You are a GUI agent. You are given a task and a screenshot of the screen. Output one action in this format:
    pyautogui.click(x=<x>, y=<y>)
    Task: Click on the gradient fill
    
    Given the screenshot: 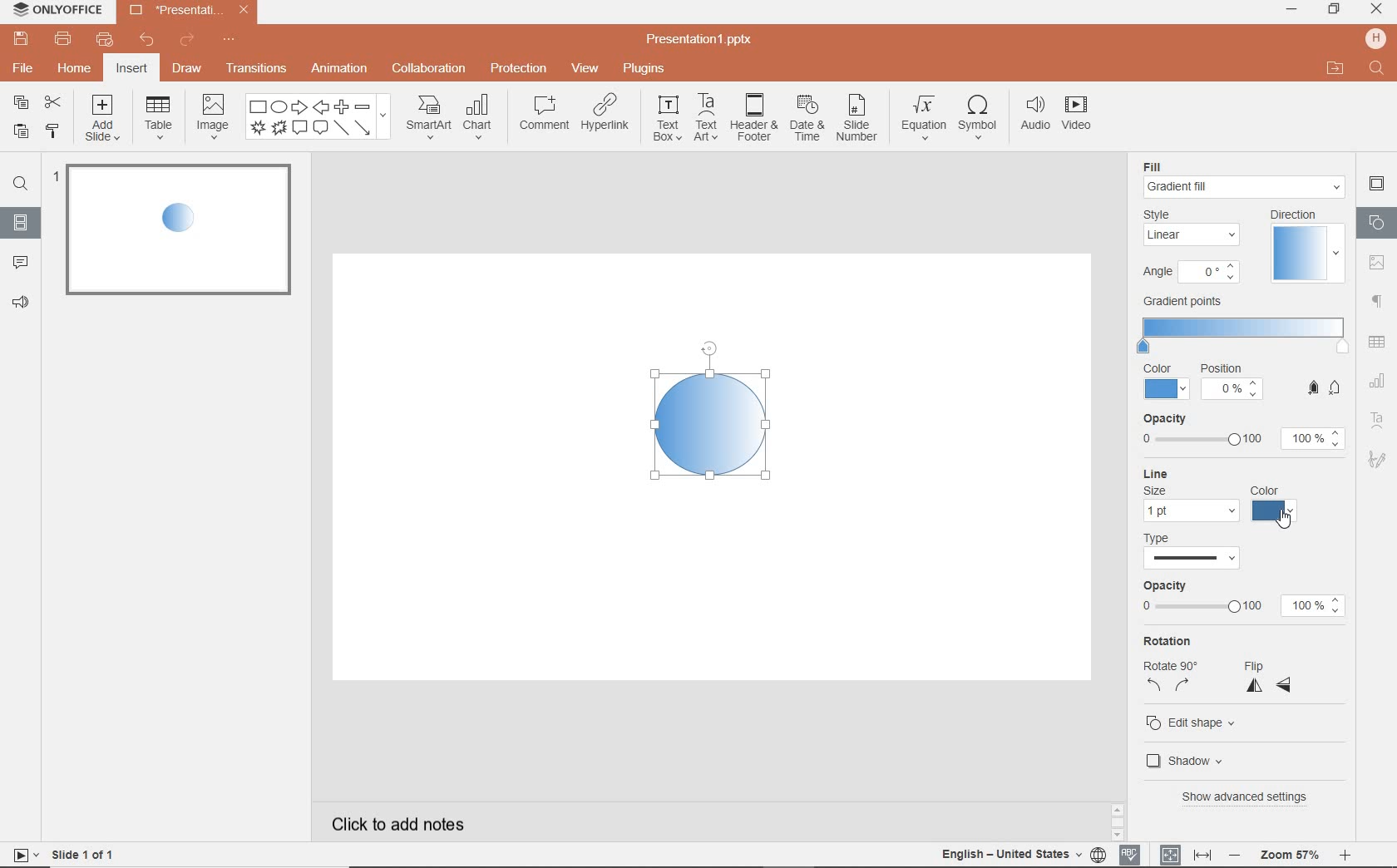 What is the action you would take?
    pyautogui.click(x=1246, y=187)
    